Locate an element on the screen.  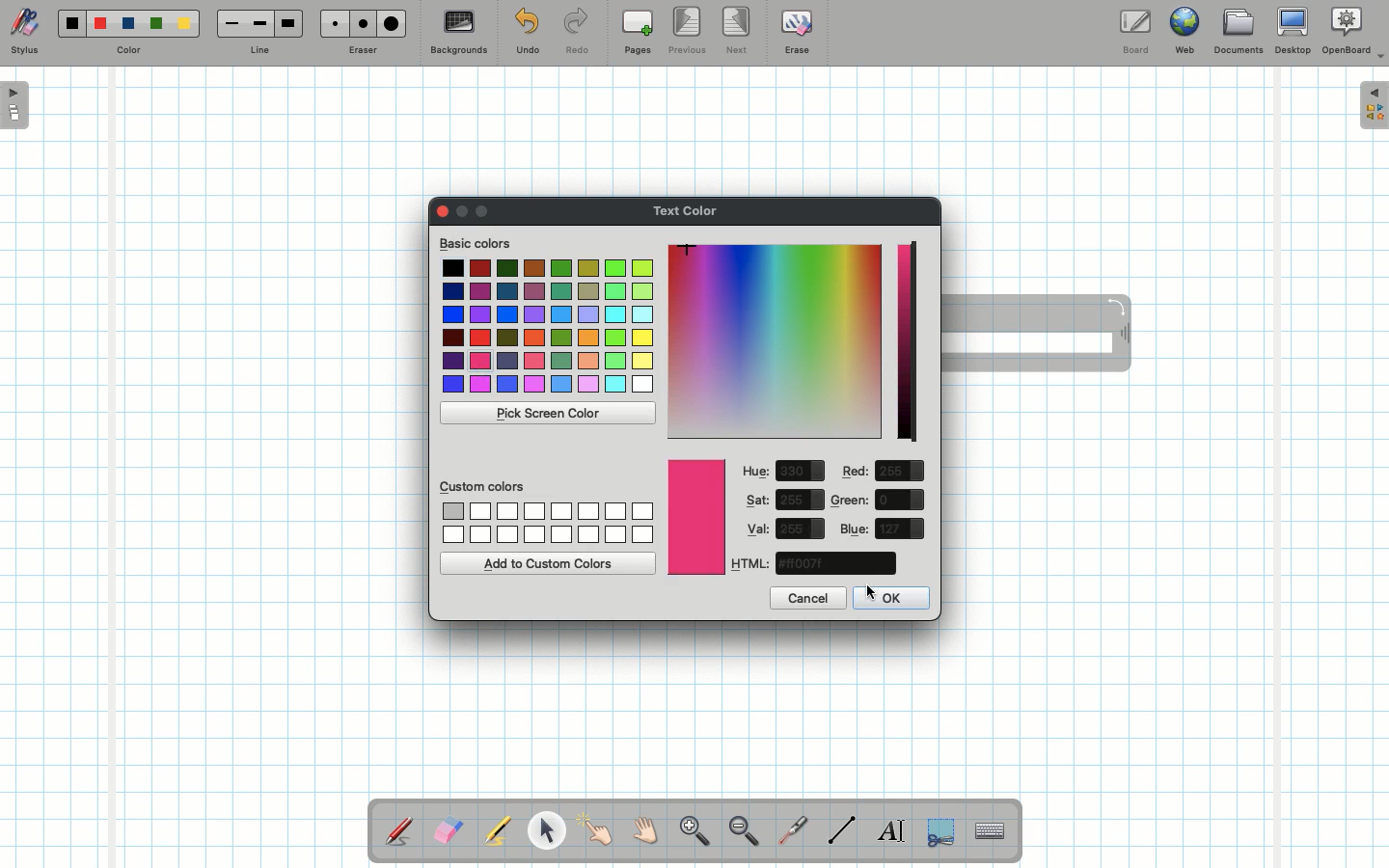
Large line is located at coordinates (289, 23).